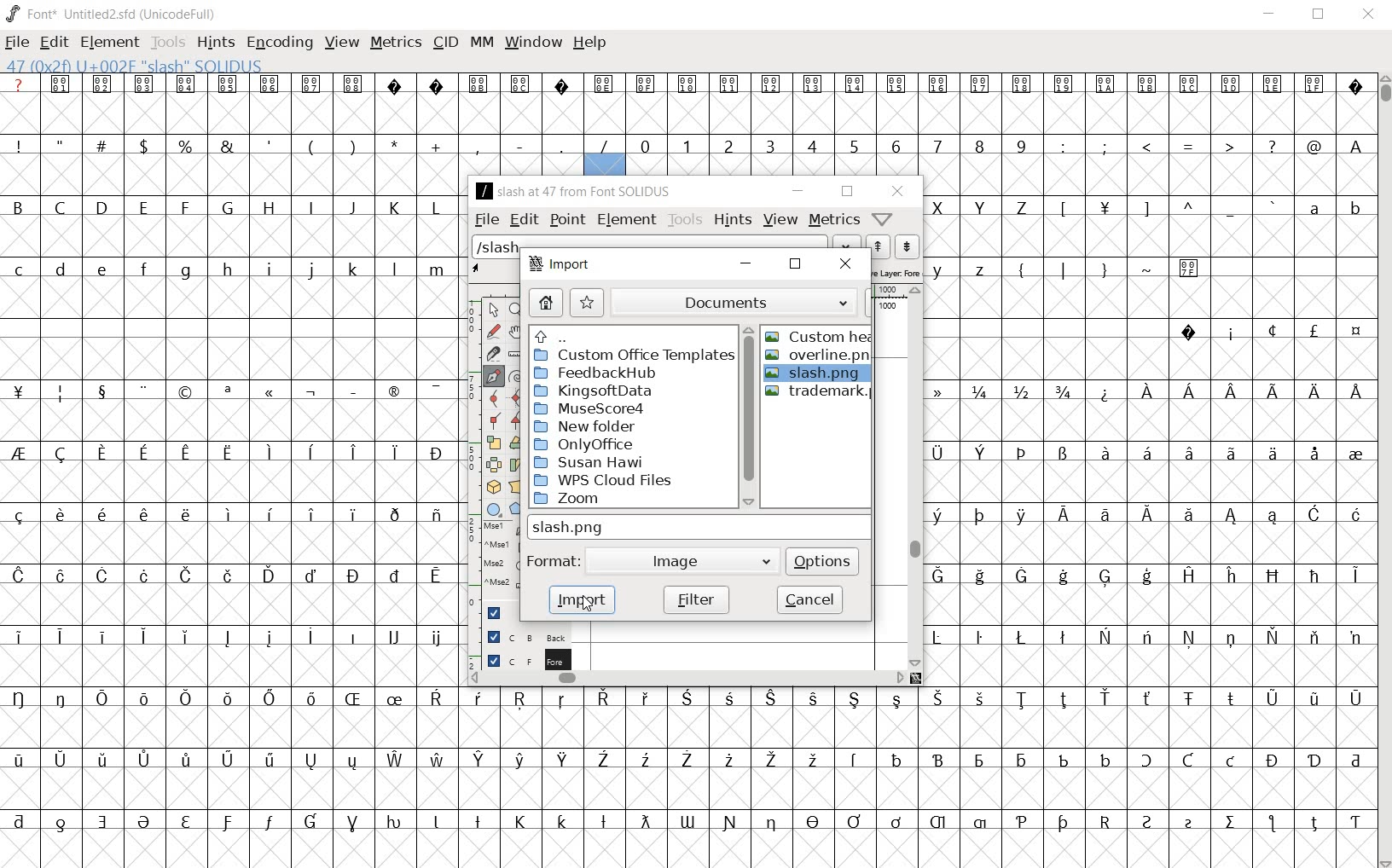 Image resolution: width=1392 pixels, height=868 pixels. I want to click on New folder, so click(586, 426).